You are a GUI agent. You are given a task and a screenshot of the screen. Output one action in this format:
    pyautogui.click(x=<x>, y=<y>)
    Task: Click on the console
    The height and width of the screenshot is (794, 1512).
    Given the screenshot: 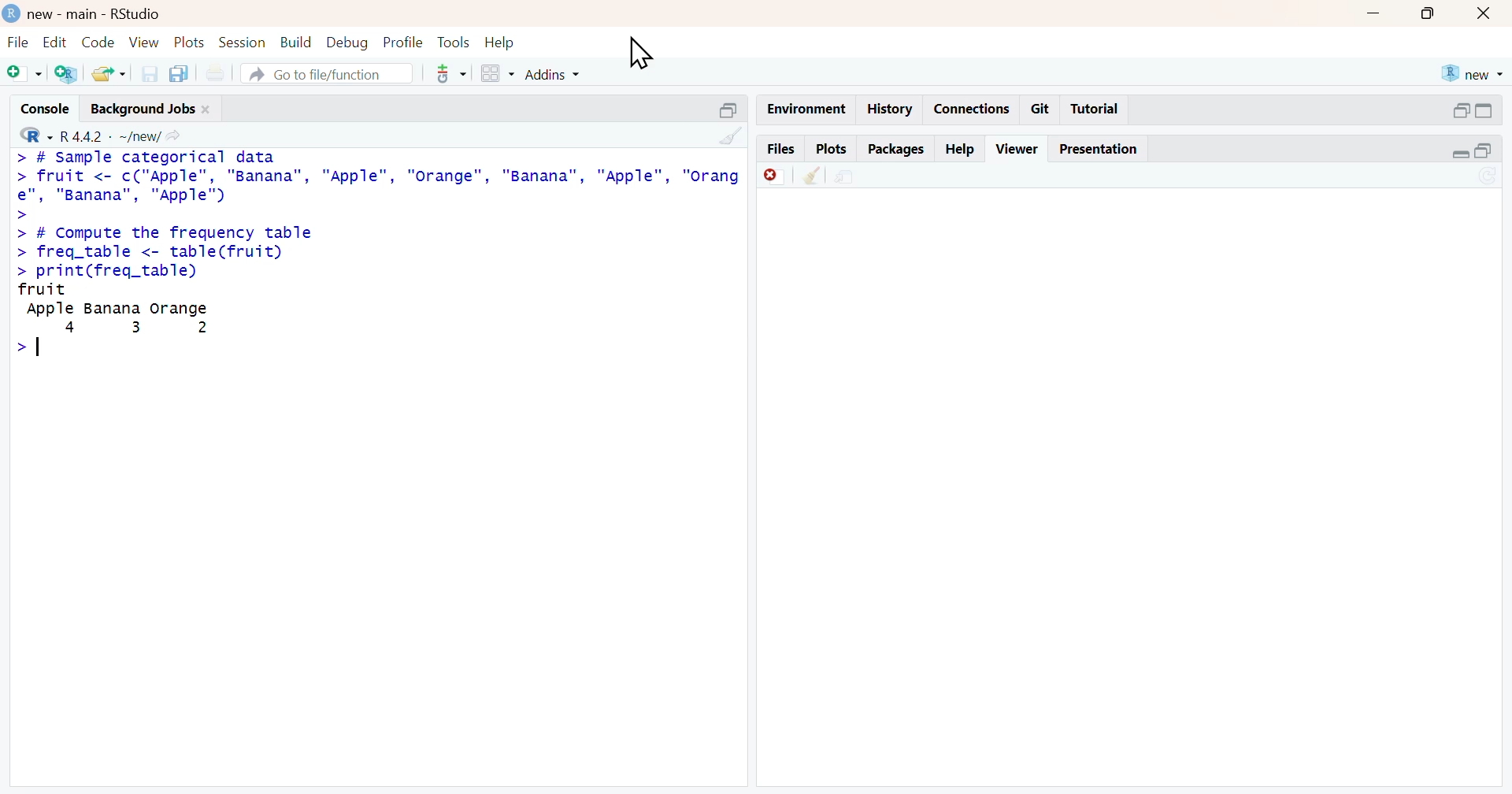 What is the action you would take?
    pyautogui.click(x=45, y=106)
    